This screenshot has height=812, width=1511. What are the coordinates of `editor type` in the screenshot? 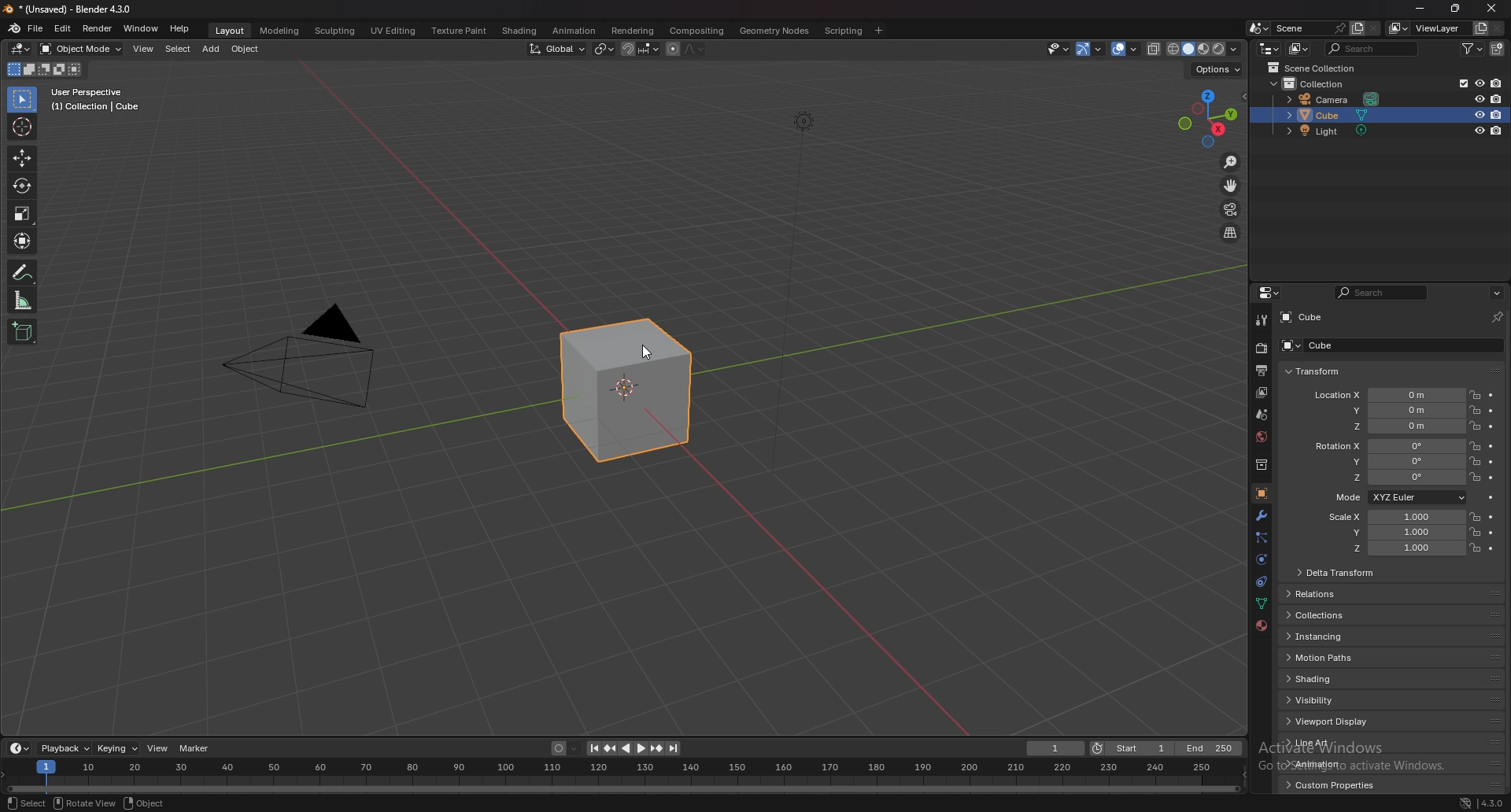 It's located at (1269, 293).